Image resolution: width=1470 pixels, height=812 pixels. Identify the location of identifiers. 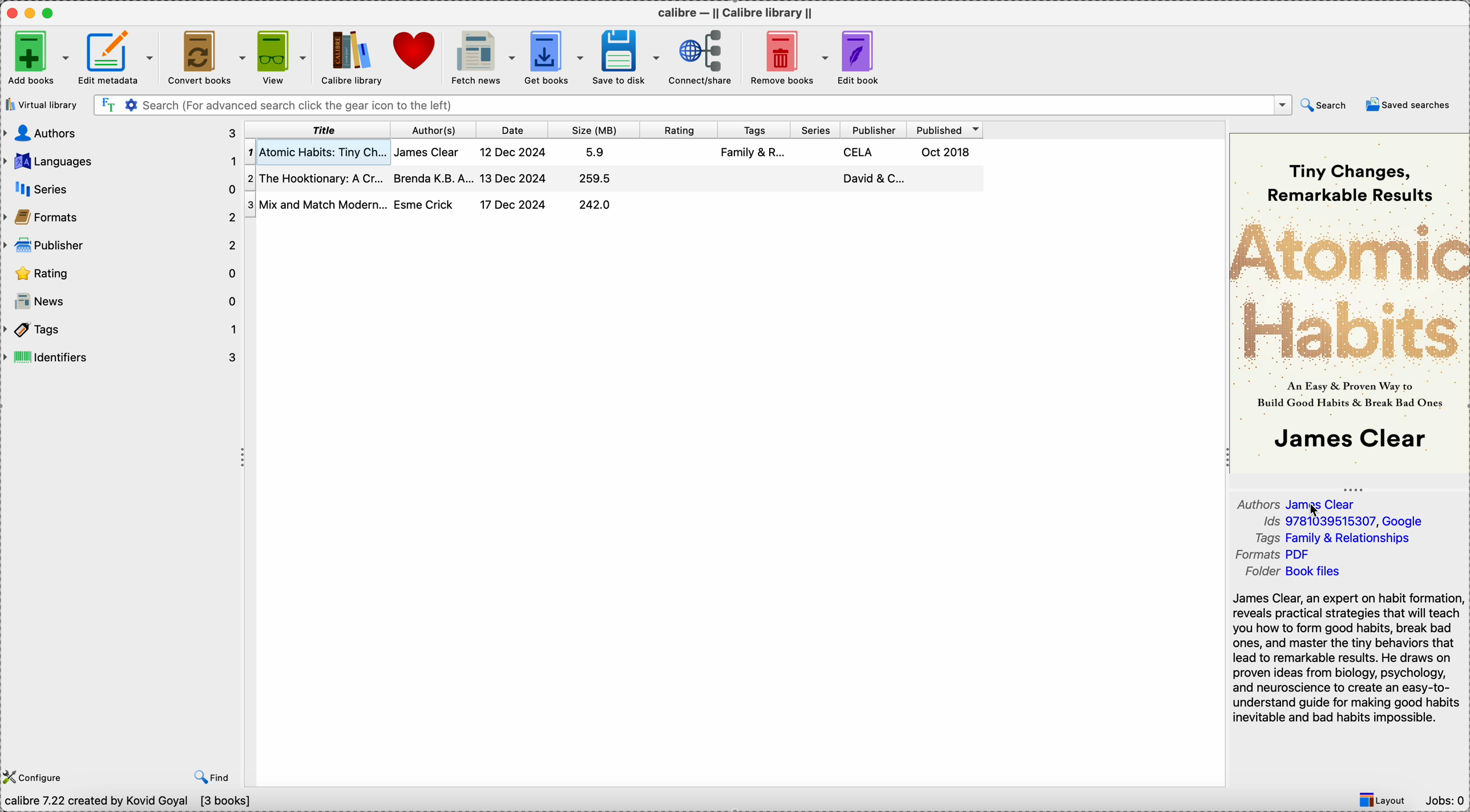
(122, 355).